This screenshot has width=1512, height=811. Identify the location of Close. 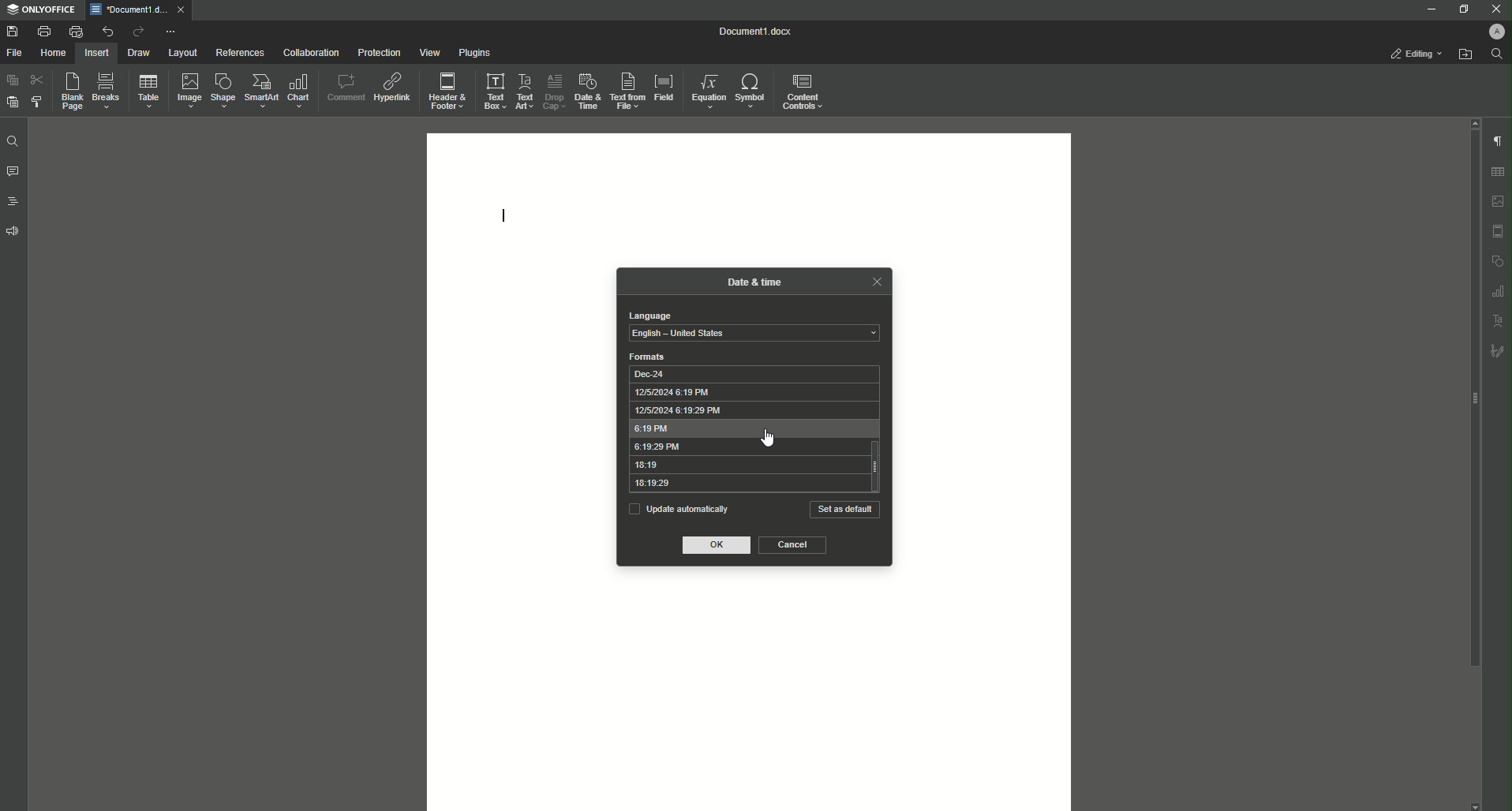
(1495, 9).